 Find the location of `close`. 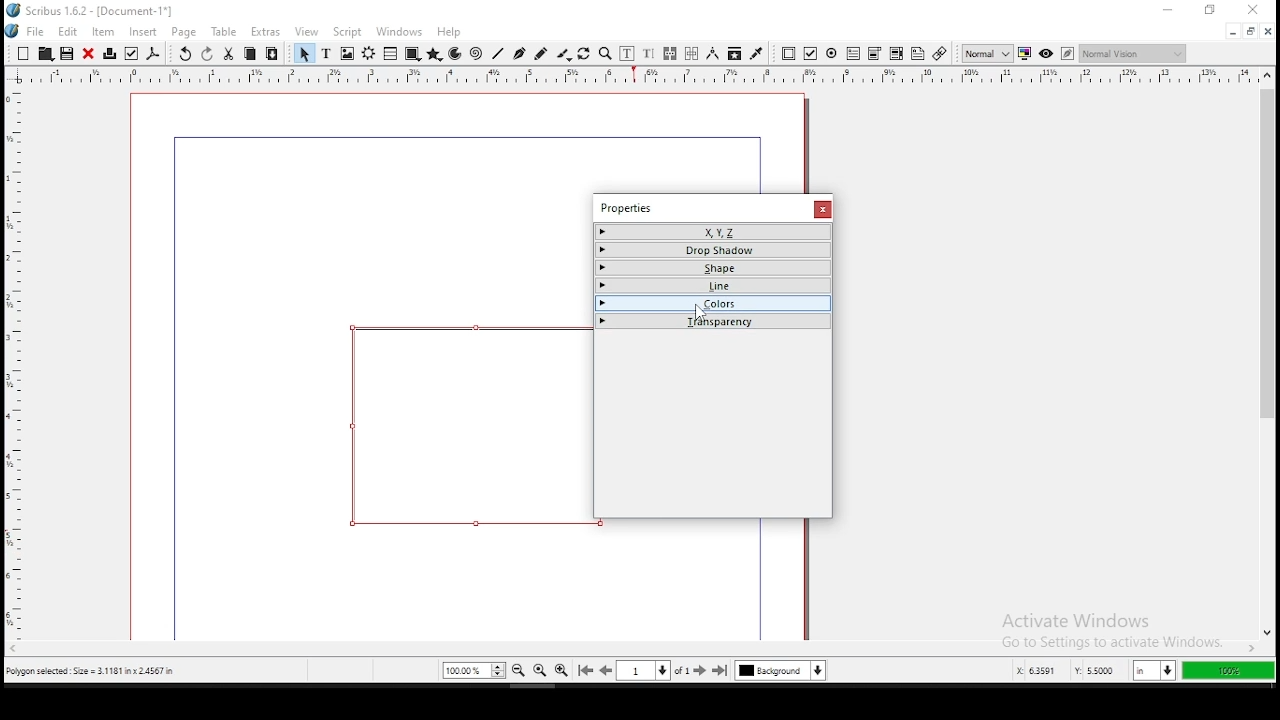

close is located at coordinates (1269, 31).